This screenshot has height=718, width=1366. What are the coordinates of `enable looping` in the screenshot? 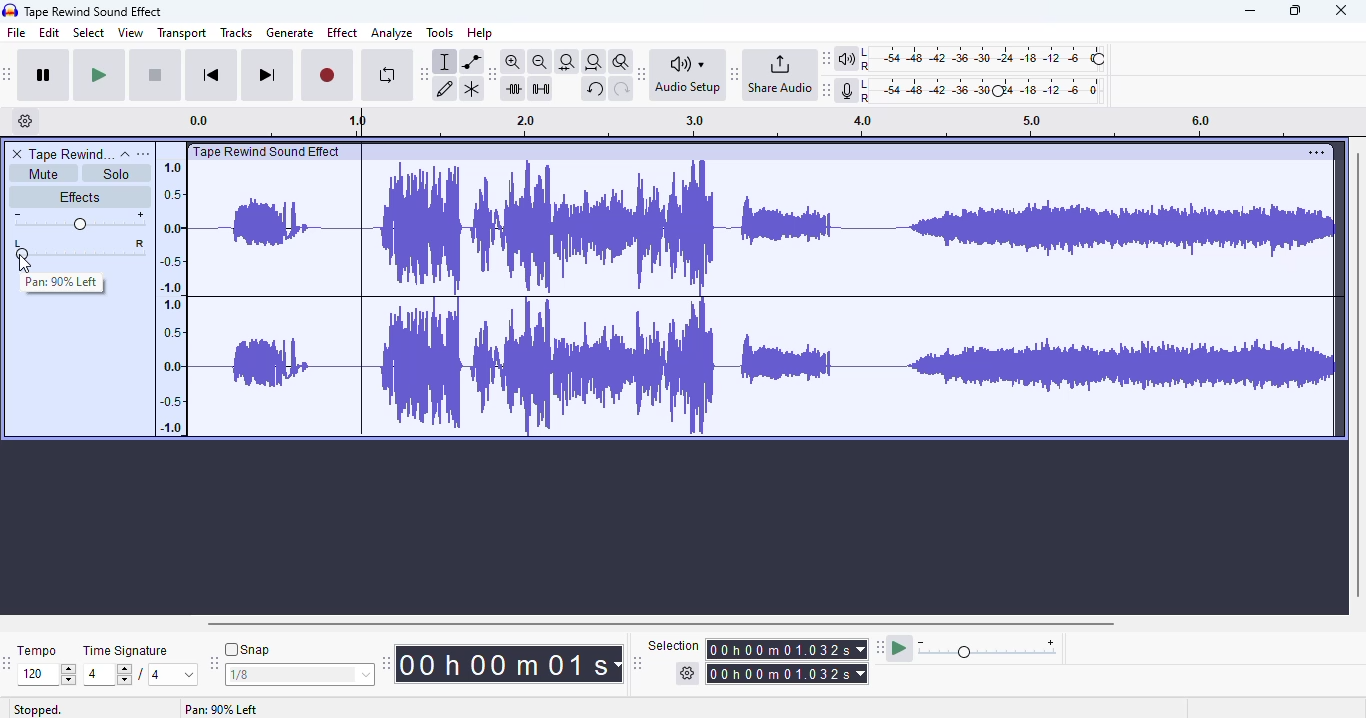 It's located at (388, 75).